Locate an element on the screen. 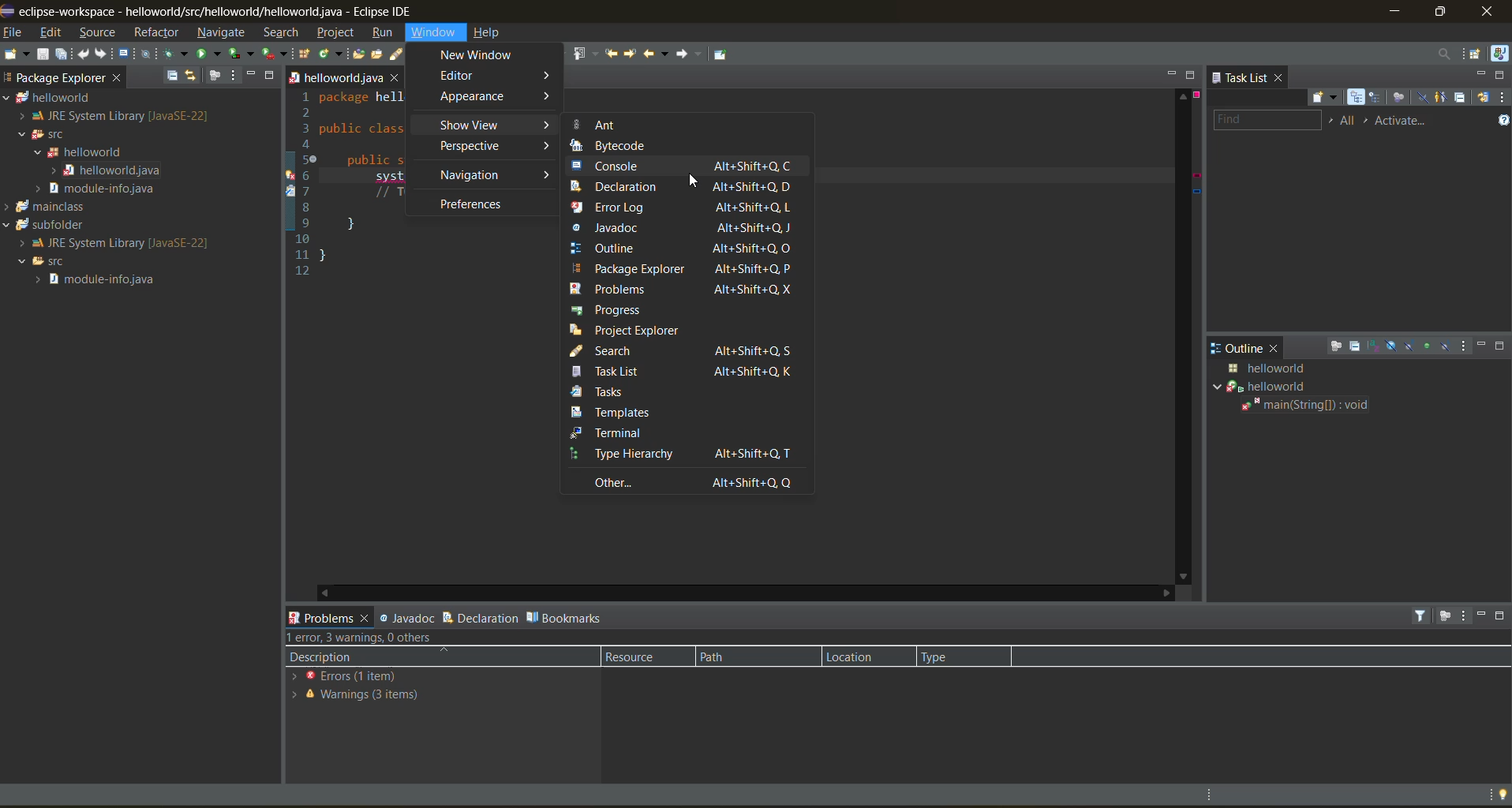 Image resolution: width=1512 pixels, height=808 pixels. focus on workweek is located at coordinates (1398, 97).